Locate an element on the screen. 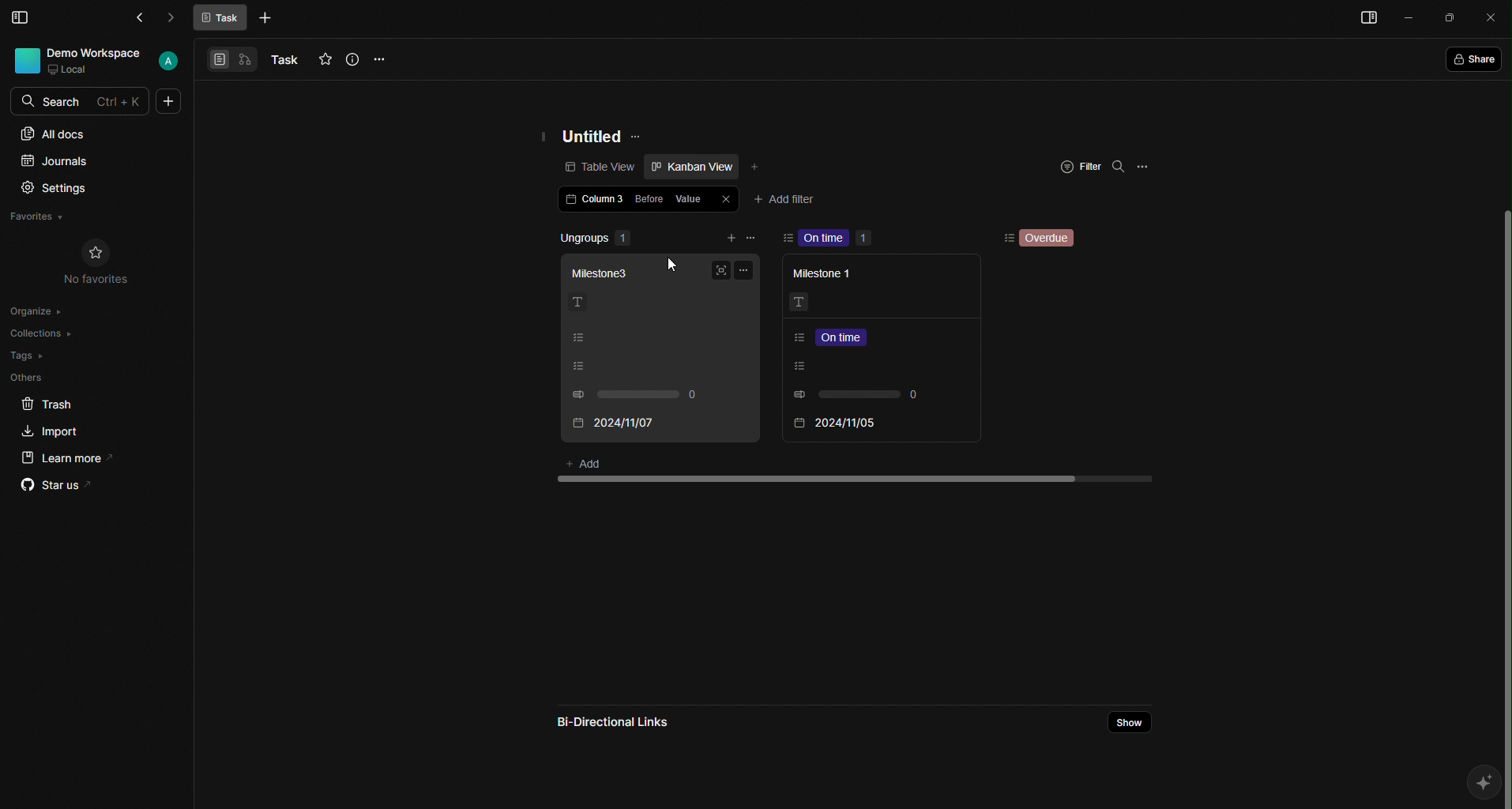 This screenshot has height=809, width=1512. Search is located at coordinates (81, 100).